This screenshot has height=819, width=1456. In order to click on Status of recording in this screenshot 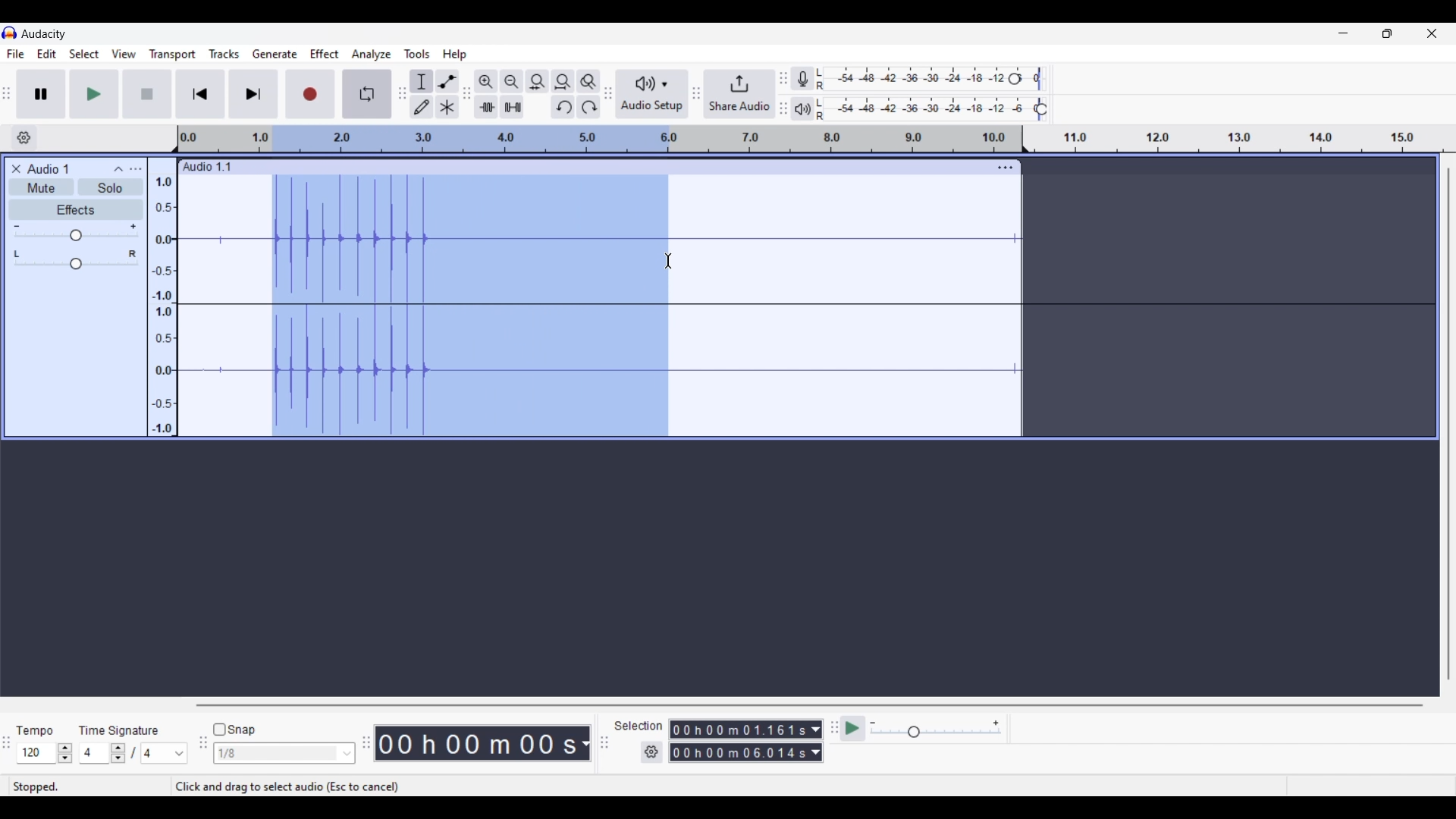, I will do `click(89, 786)`.